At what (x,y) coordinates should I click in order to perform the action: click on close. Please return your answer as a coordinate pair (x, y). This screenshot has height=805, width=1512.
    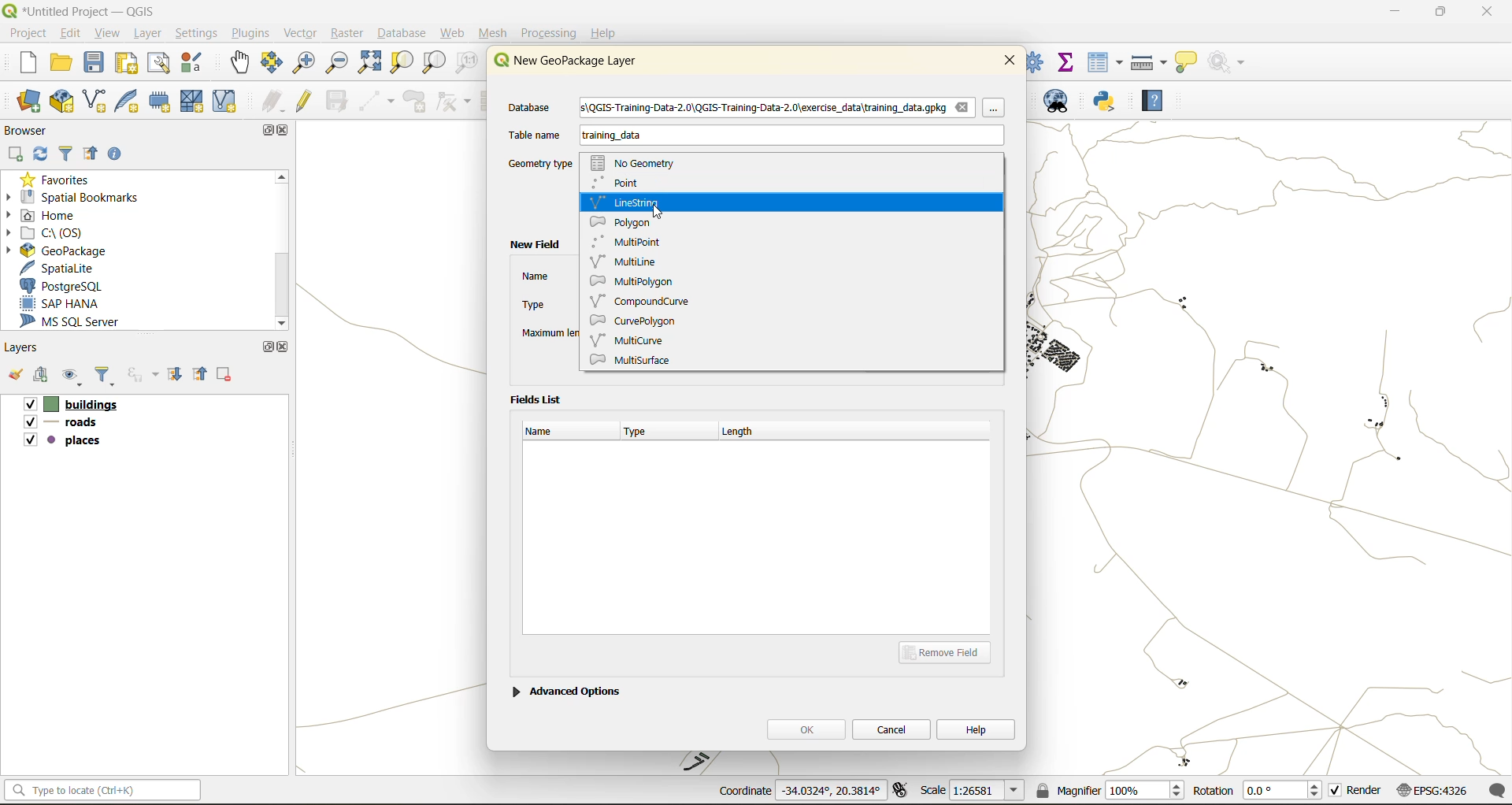
    Looking at the image, I should click on (1479, 13).